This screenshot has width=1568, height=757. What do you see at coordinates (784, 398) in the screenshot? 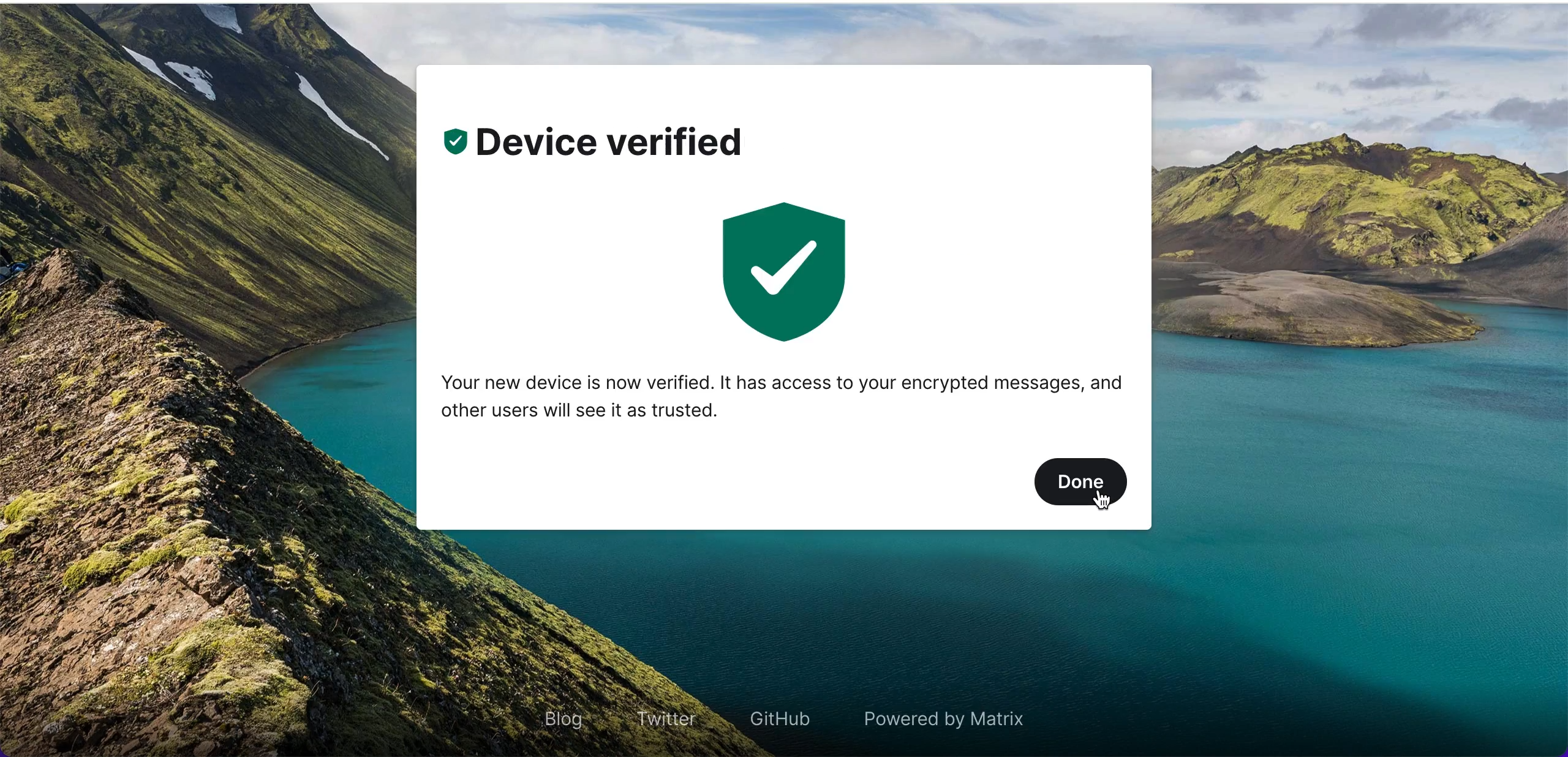
I see `your new deviced is now verified. it has access to your encrypted messages, and other users will see it as trusted.` at bounding box center [784, 398].